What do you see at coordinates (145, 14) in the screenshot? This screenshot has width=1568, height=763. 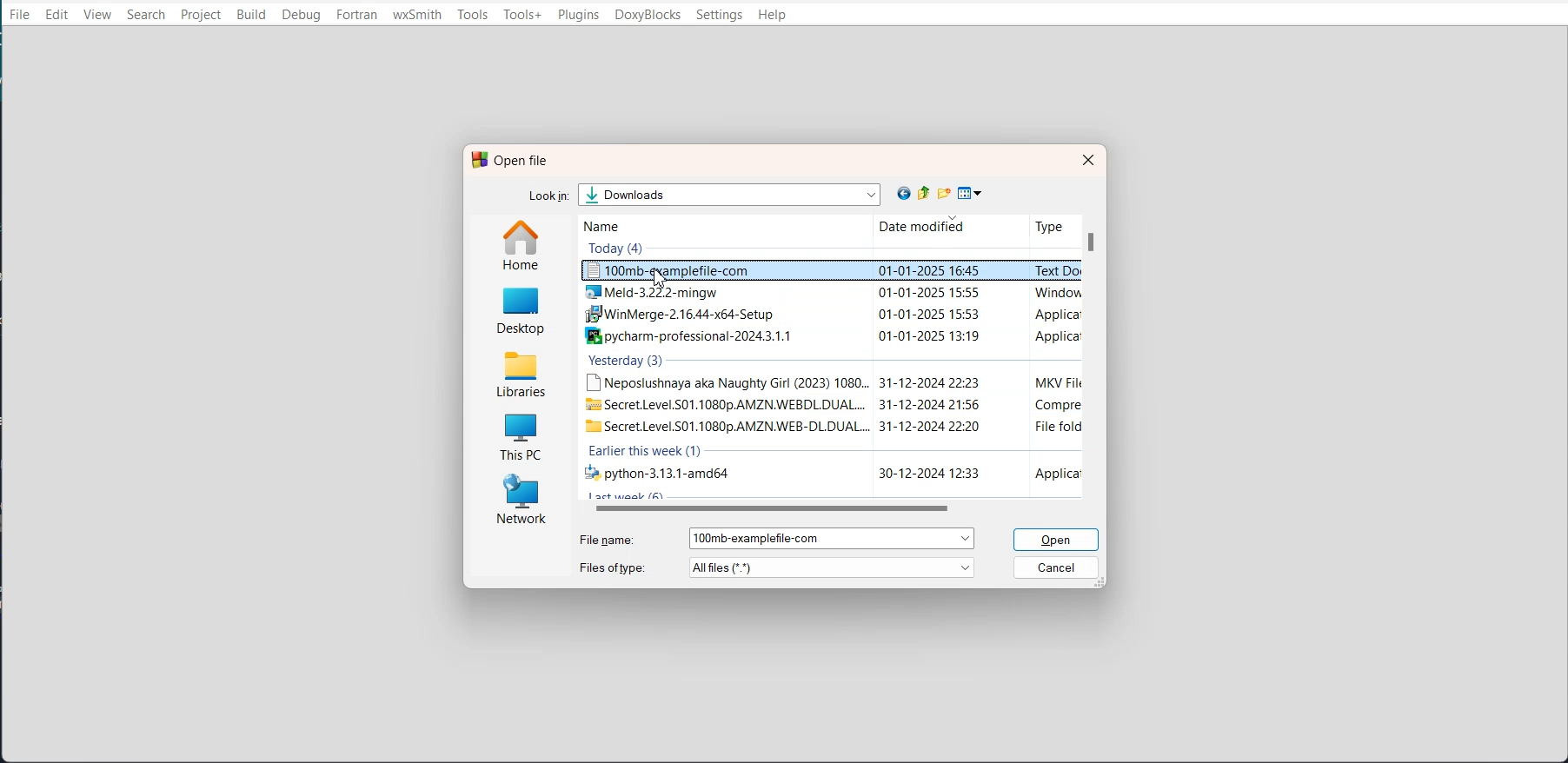 I see `Search` at bounding box center [145, 14].